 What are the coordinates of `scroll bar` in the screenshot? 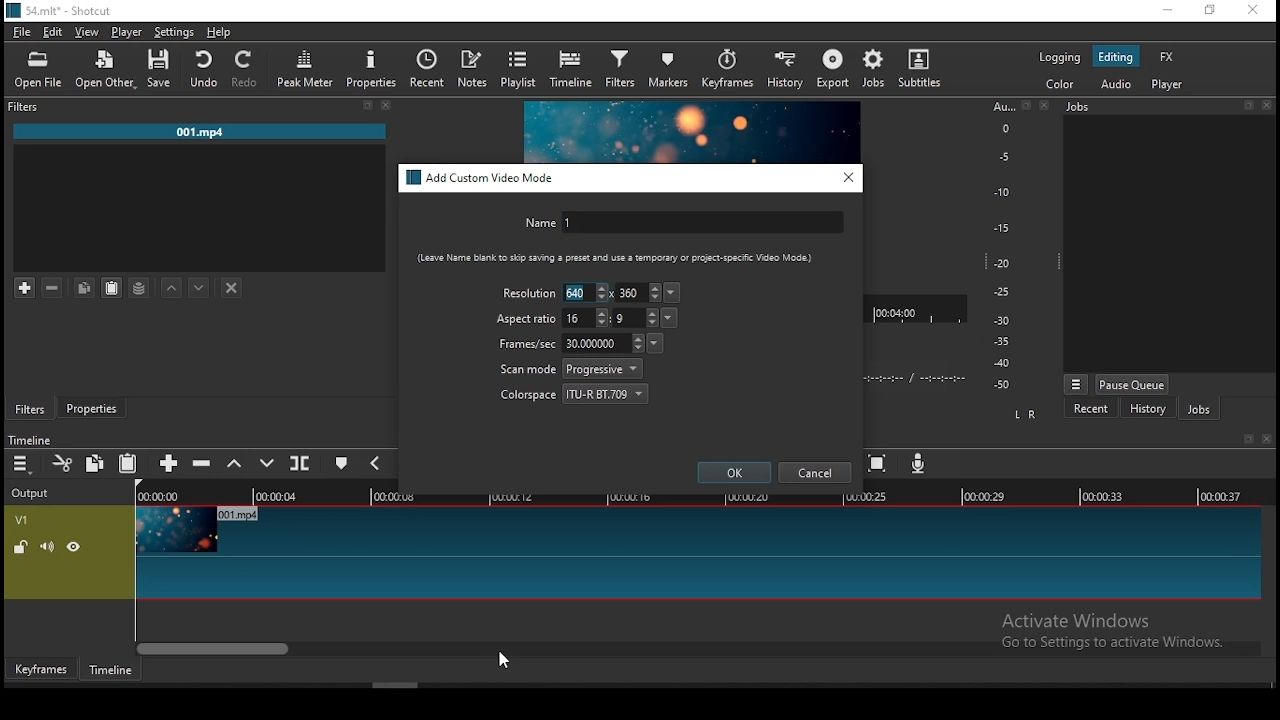 It's located at (699, 647).